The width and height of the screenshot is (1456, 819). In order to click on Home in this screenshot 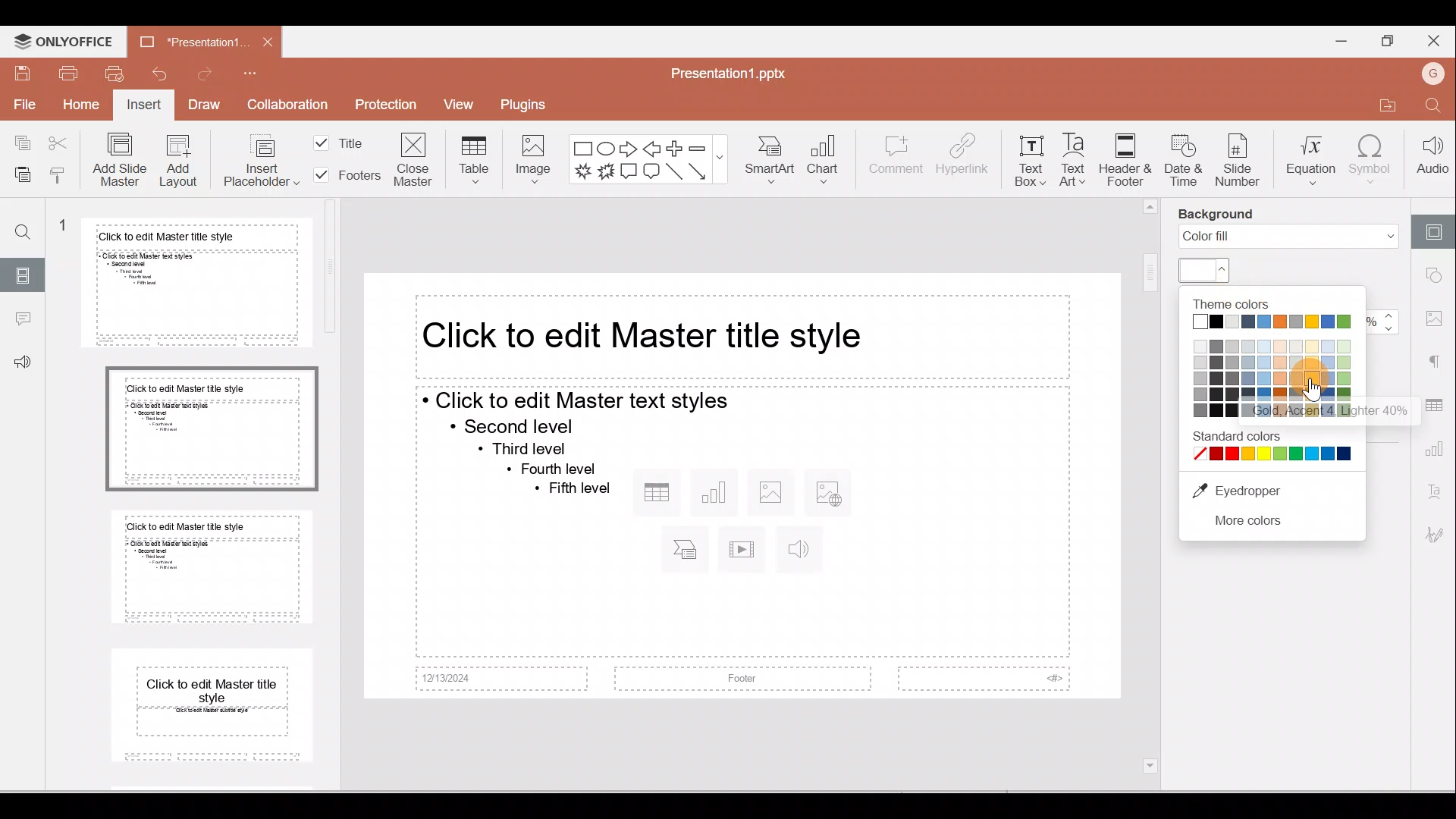, I will do `click(80, 107)`.